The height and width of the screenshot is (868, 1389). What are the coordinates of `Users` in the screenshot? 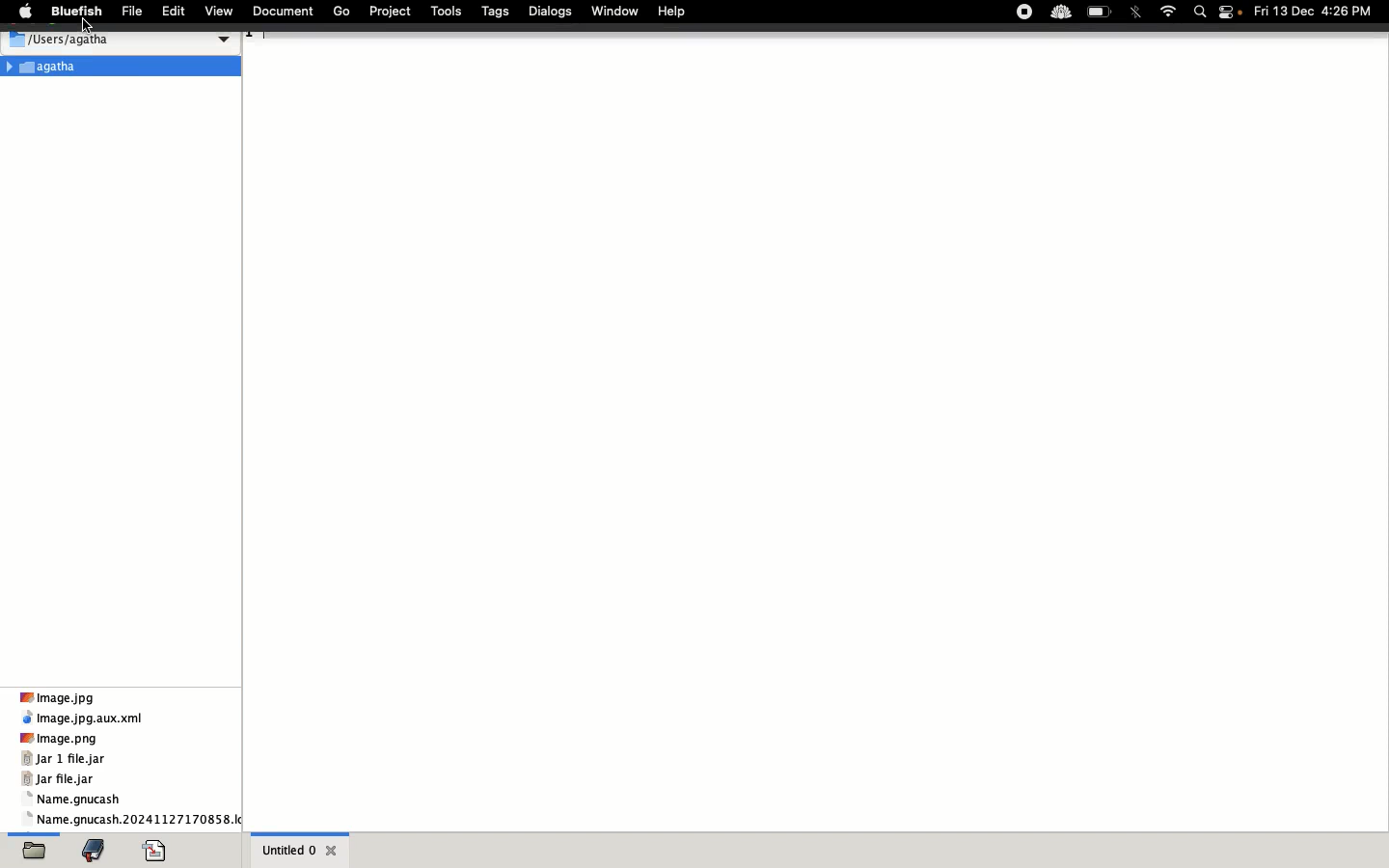 It's located at (119, 40).